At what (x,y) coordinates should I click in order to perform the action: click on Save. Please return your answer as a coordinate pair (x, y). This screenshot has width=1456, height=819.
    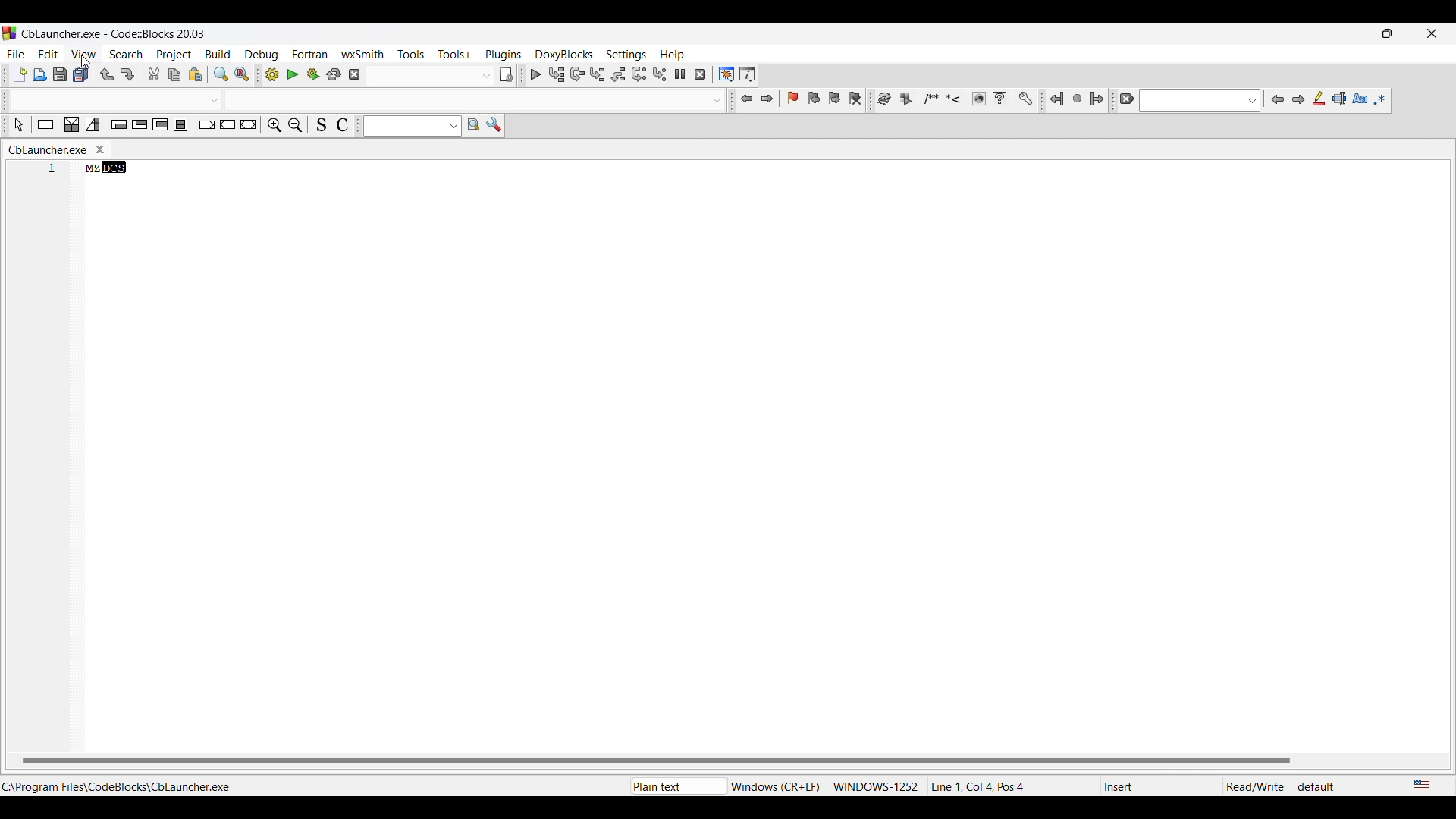
    Looking at the image, I should click on (61, 74).